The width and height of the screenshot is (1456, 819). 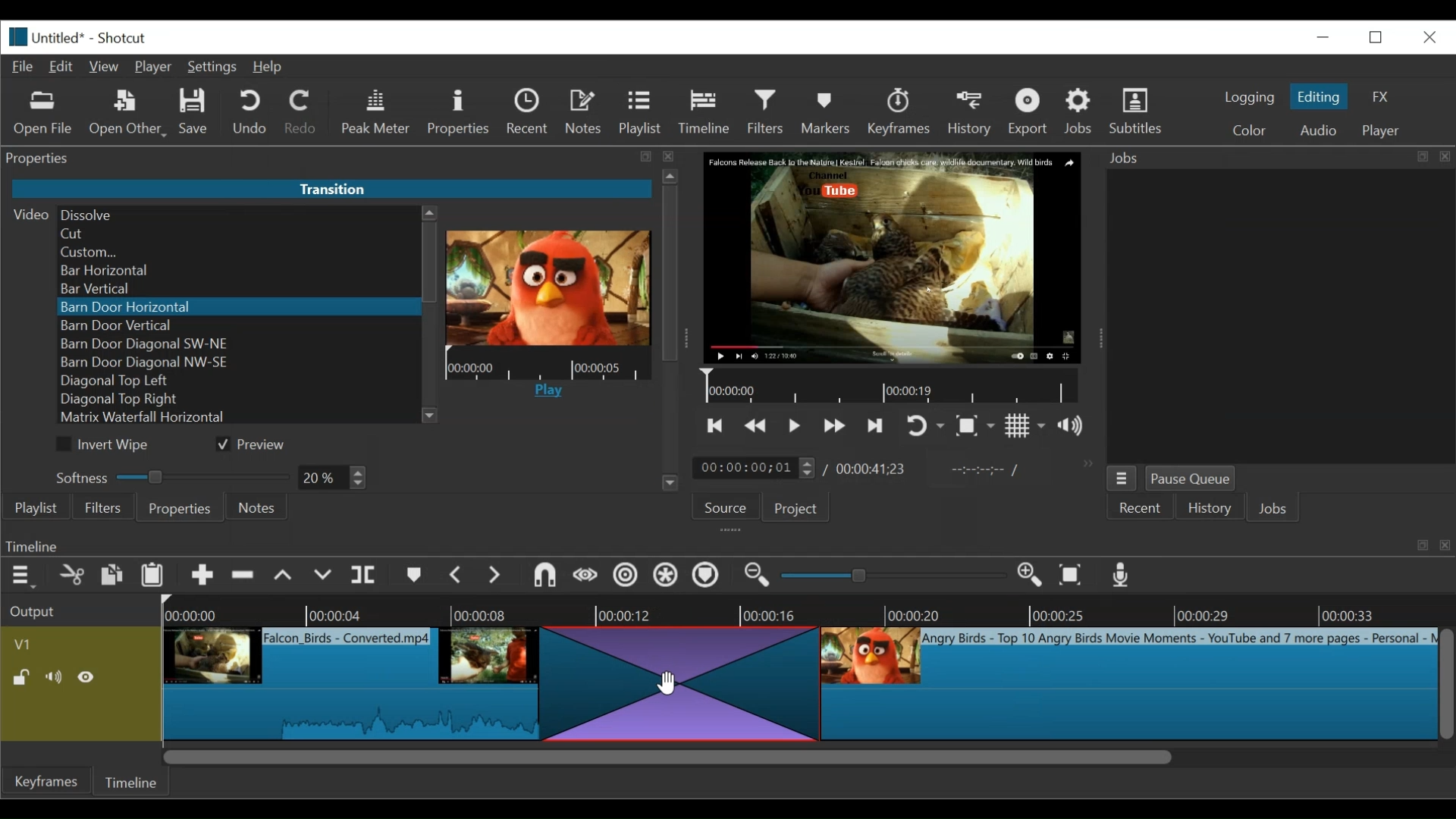 What do you see at coordinates (431, 262) in the screenshot?
I see `Vertical Scroll bar` at bounding box center [431, 262].